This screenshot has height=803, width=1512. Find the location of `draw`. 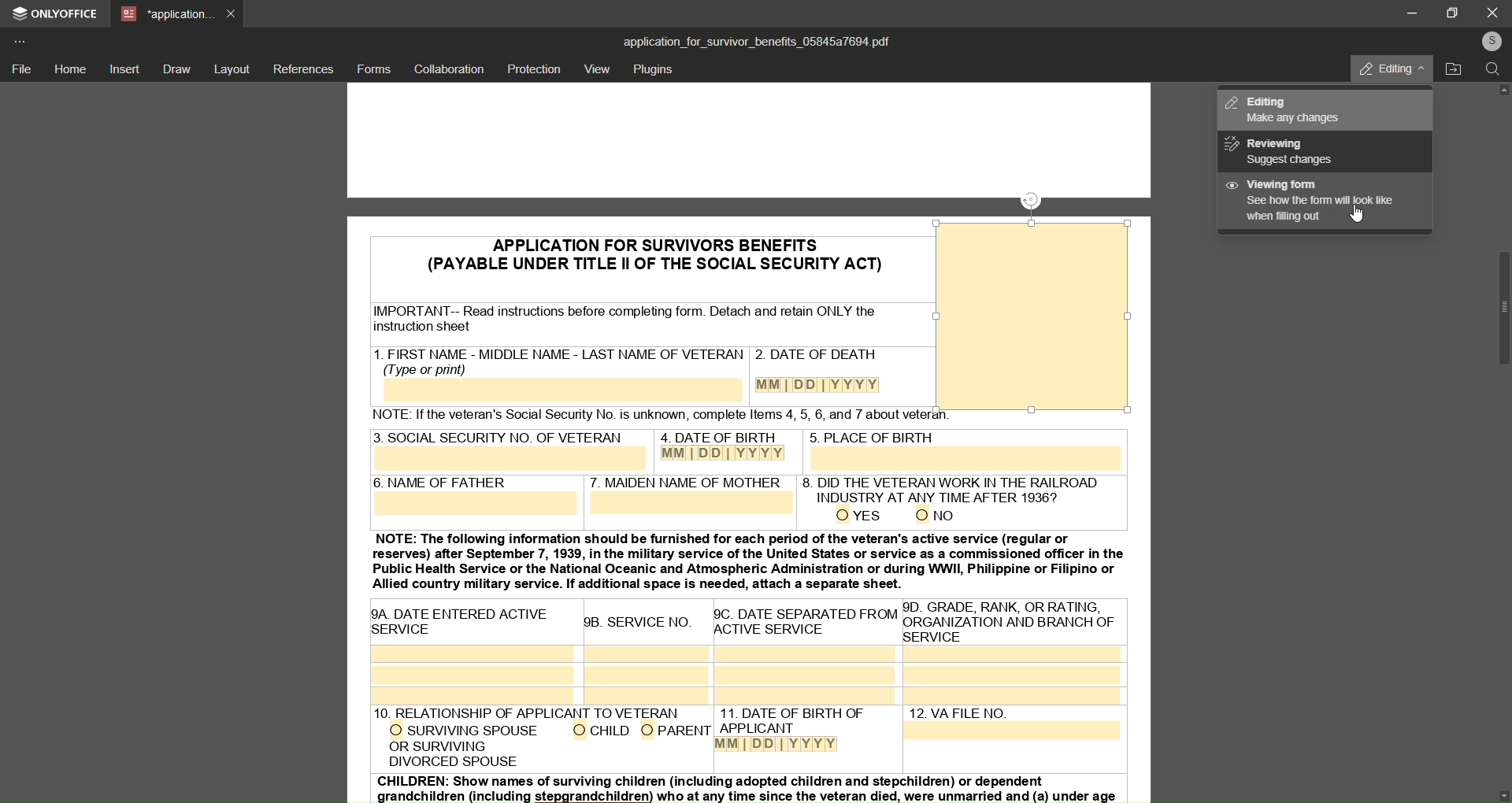

draw is located at coordinates (176, 68).